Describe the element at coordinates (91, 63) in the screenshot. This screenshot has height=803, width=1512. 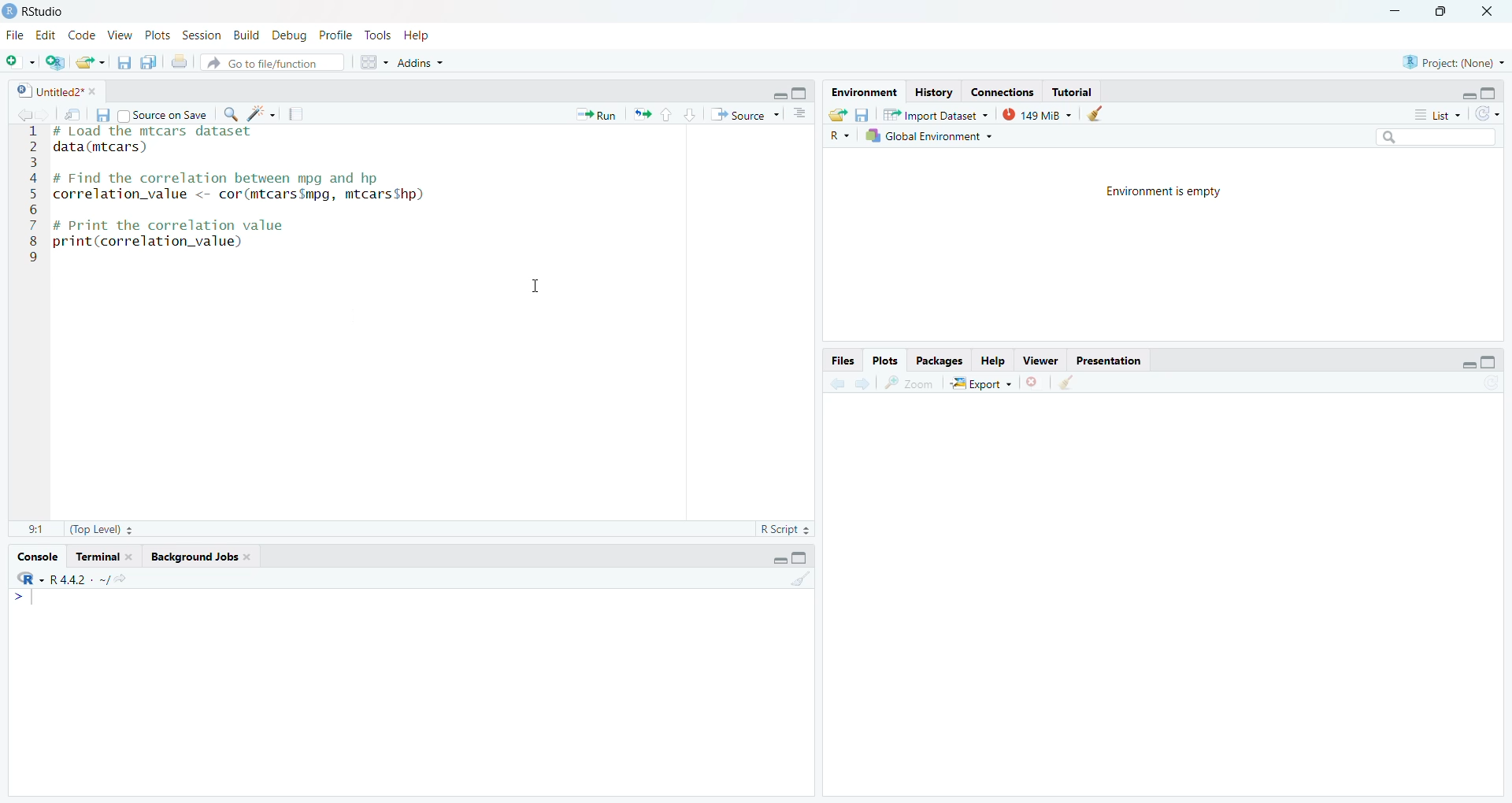
I see `Open an existing file (Ctrl + O)` at that location.